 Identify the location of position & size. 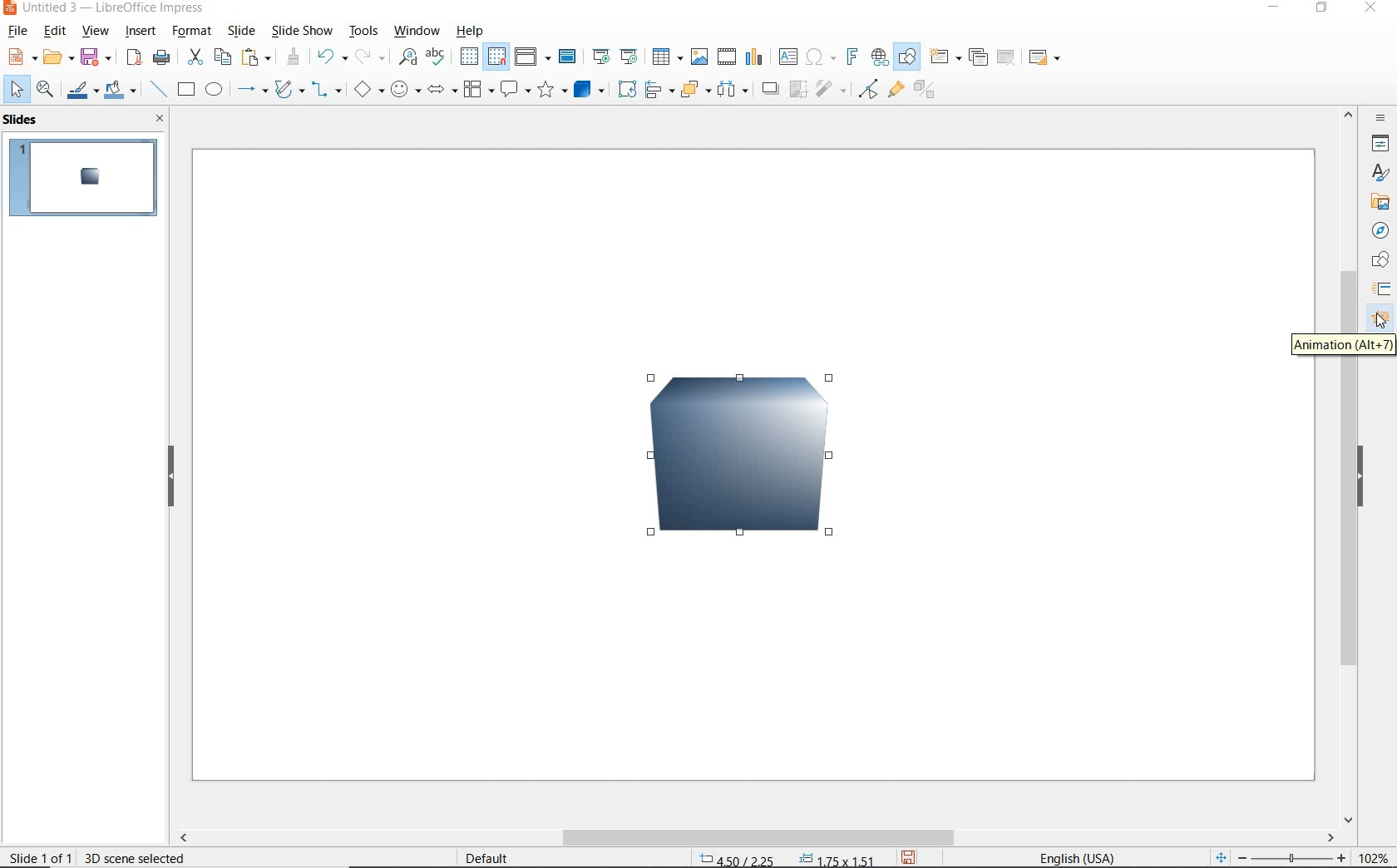
(788, 857).